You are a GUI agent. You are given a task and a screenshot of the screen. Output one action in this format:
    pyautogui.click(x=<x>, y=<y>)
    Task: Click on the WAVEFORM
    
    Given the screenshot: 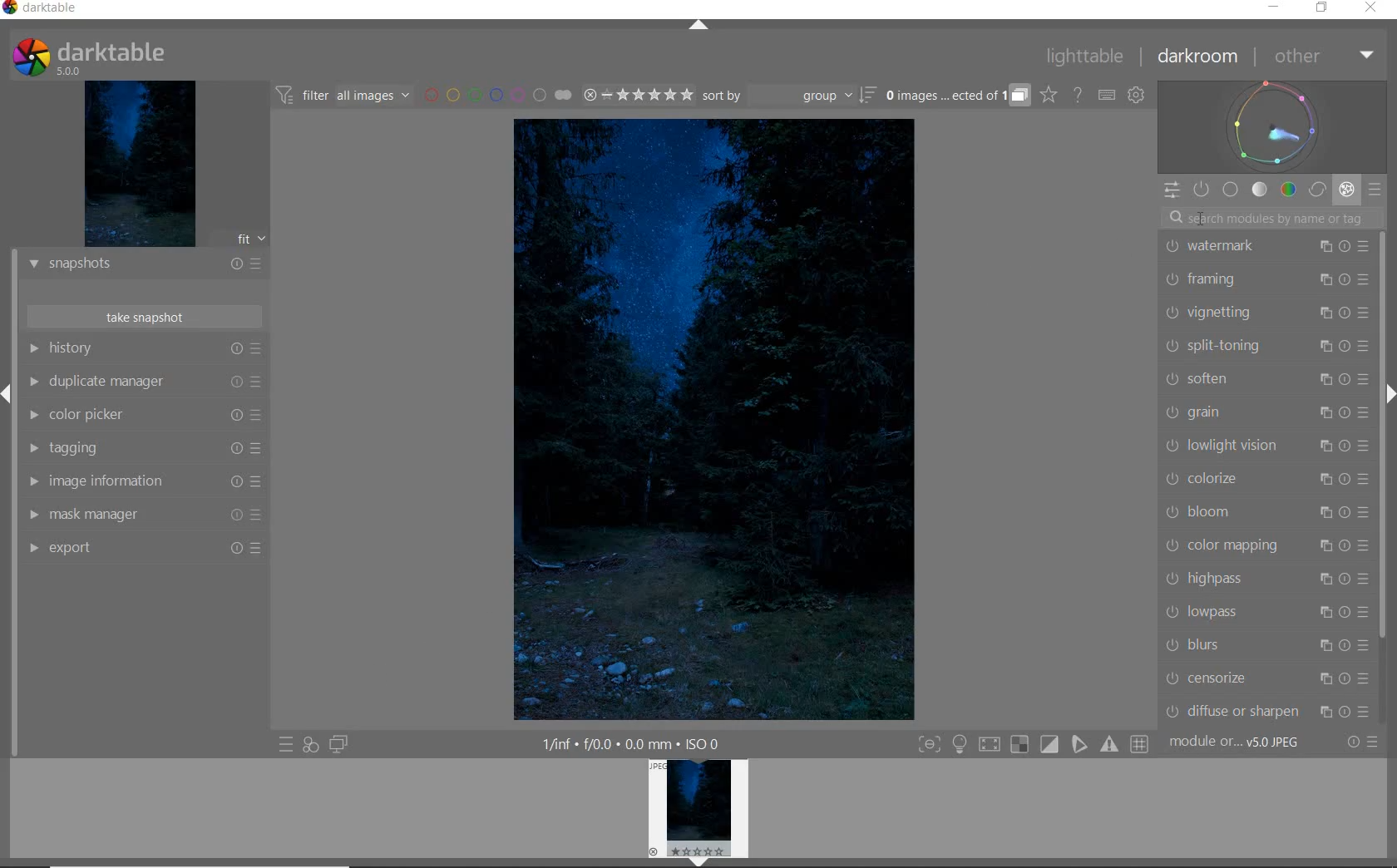 What is the action you would take?
    pyautogui.click(x=1271, y=126)
    